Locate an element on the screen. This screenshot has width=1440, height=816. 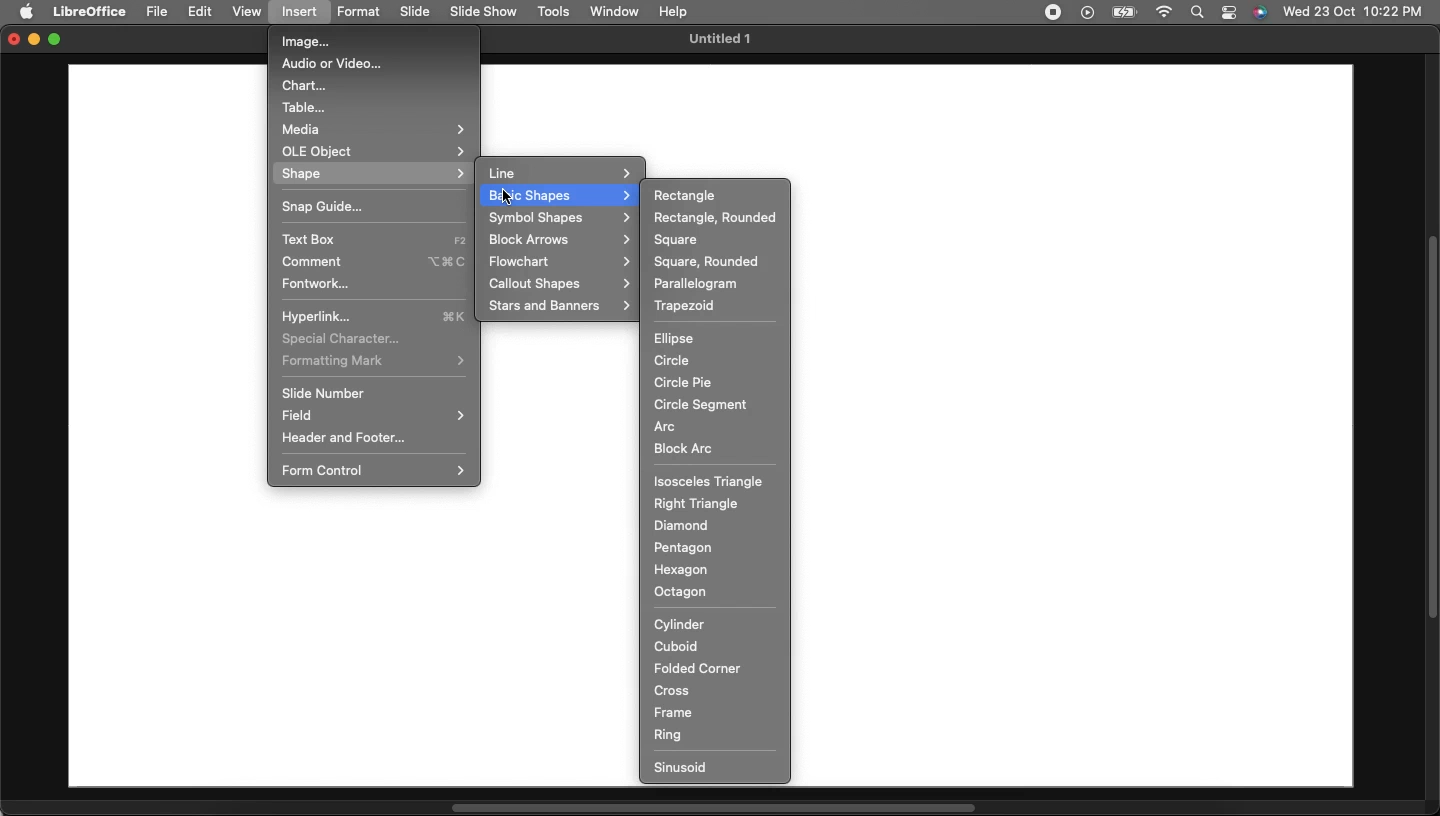
Folded corner is located at coordinates (698, 667).